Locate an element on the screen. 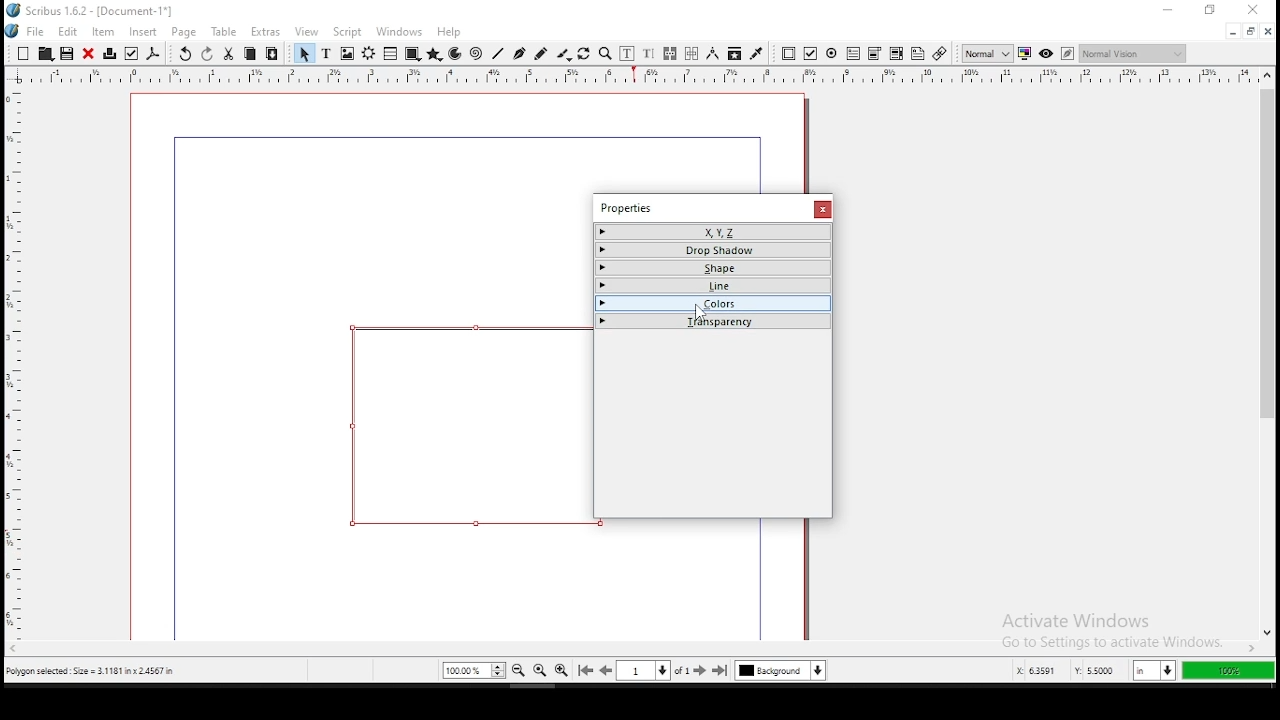 The width and height of the screenshot is (1280, 720). measurement is located at coordinates (713, 54).